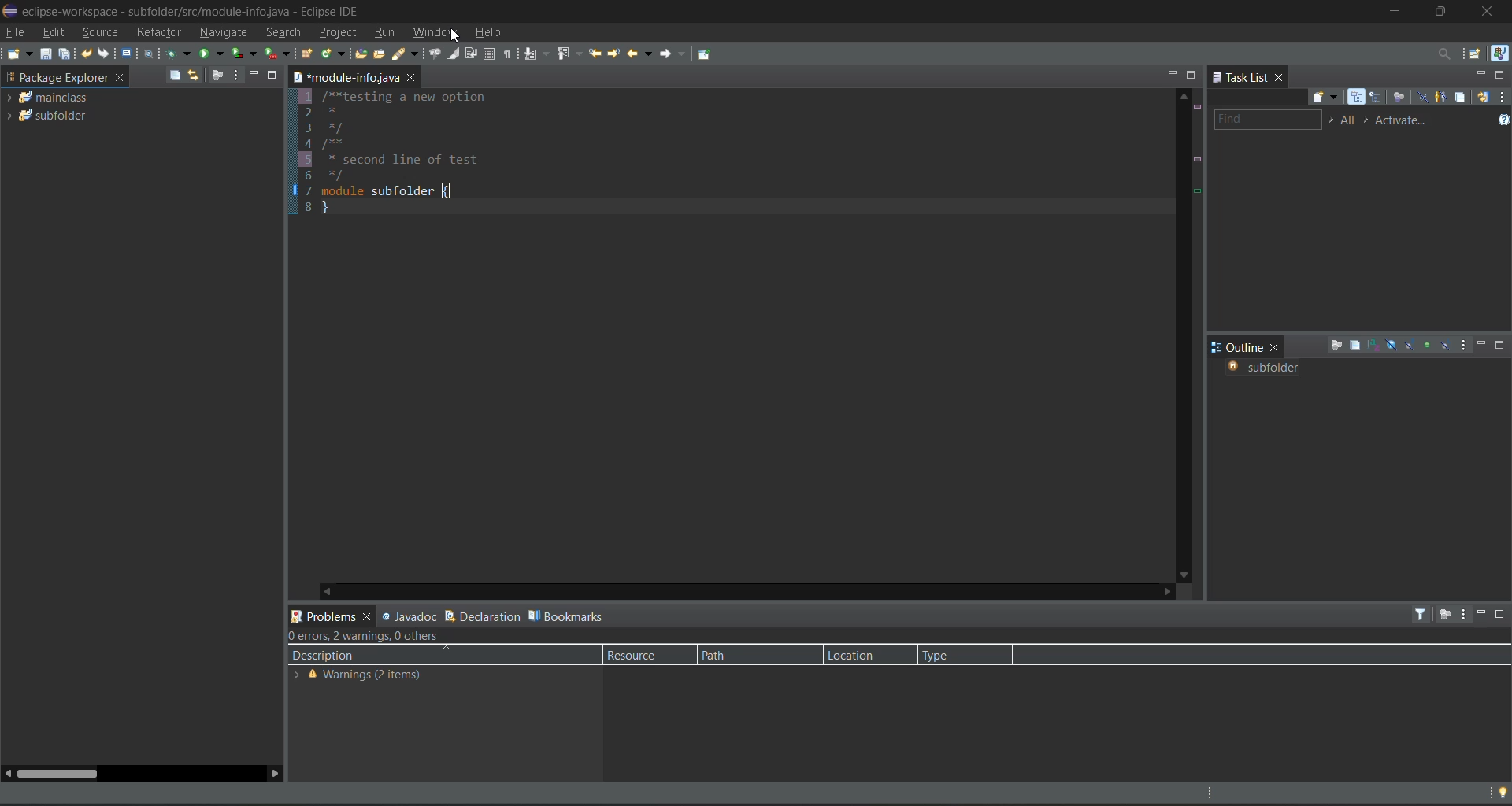  I want to click on project, so click(339, 31).